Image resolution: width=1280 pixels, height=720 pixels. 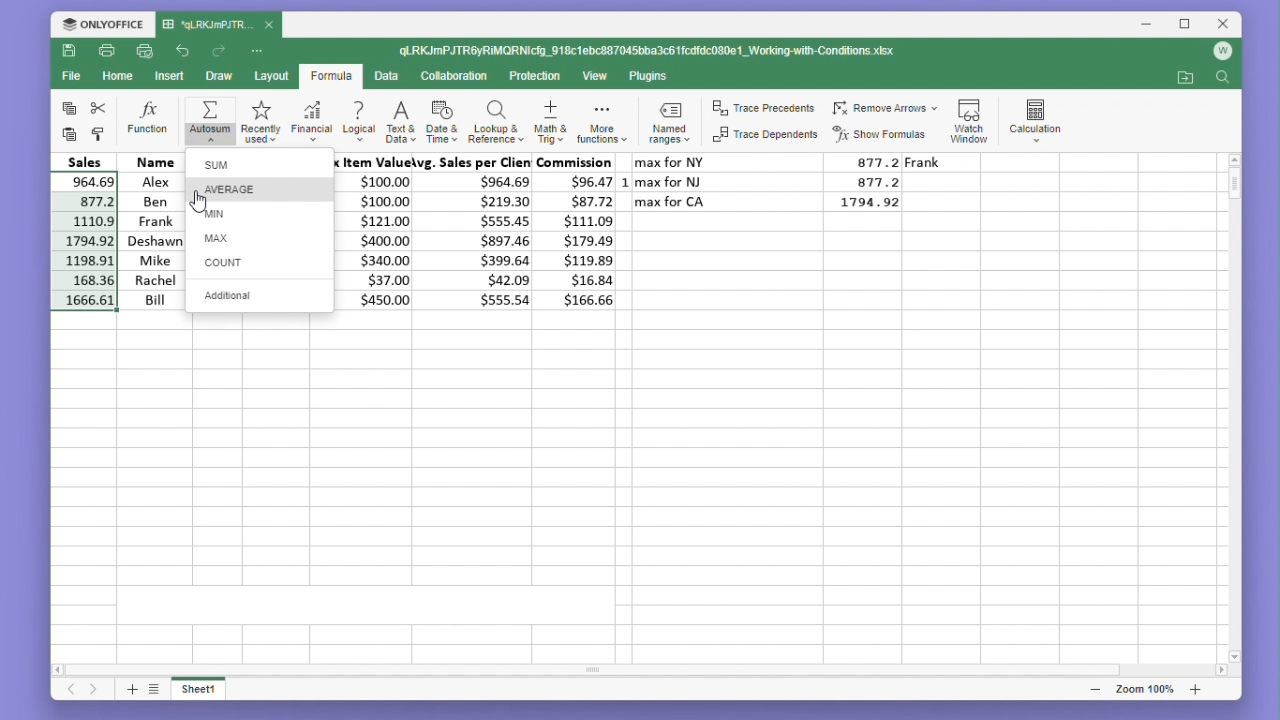 I want to click on Recently used, so click(x=258, y=120).